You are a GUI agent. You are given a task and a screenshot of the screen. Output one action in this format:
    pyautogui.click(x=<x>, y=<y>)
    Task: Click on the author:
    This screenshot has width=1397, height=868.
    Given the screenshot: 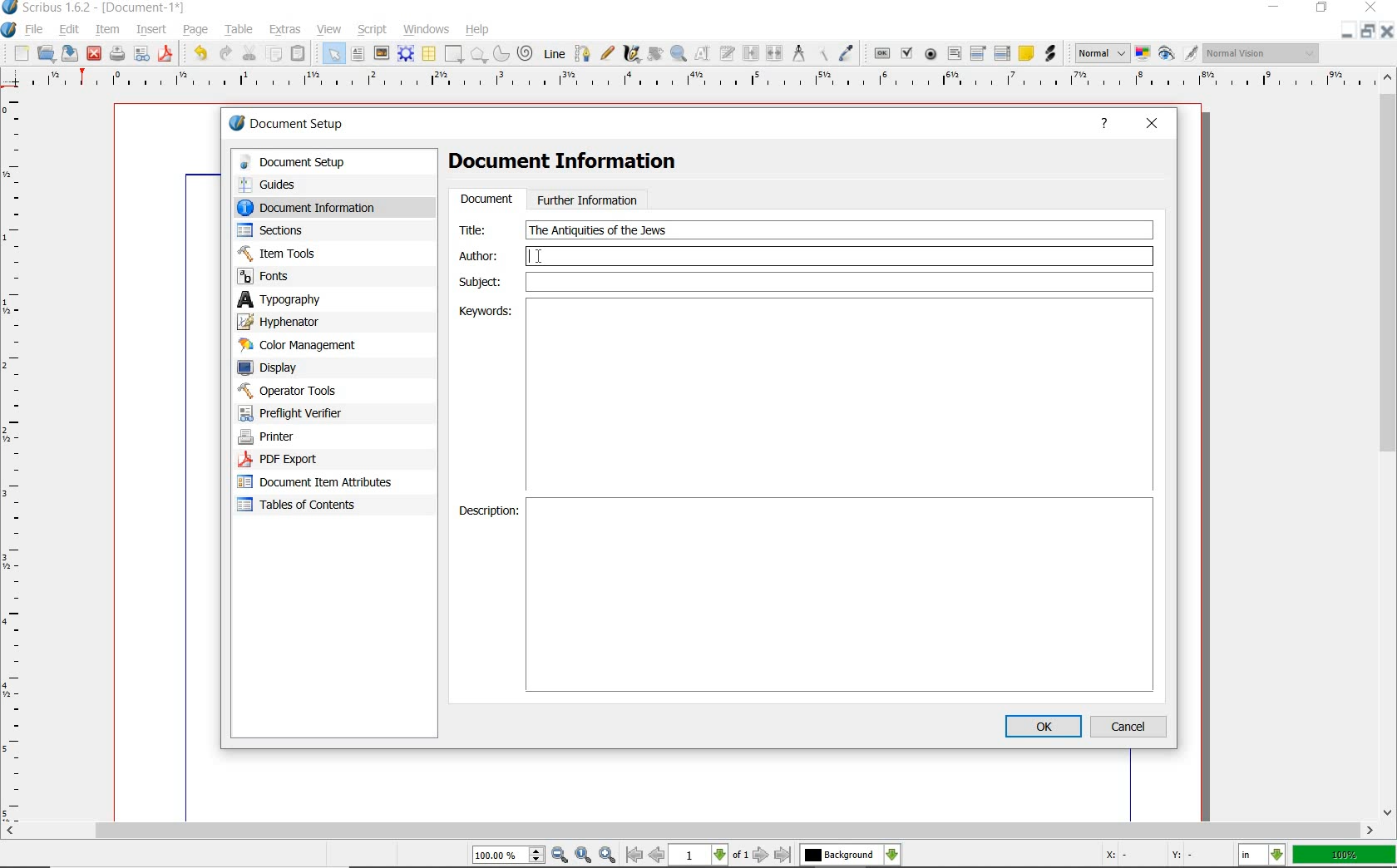 What is the action you would take?
    pyautogui.click(x=481, y=255)
    